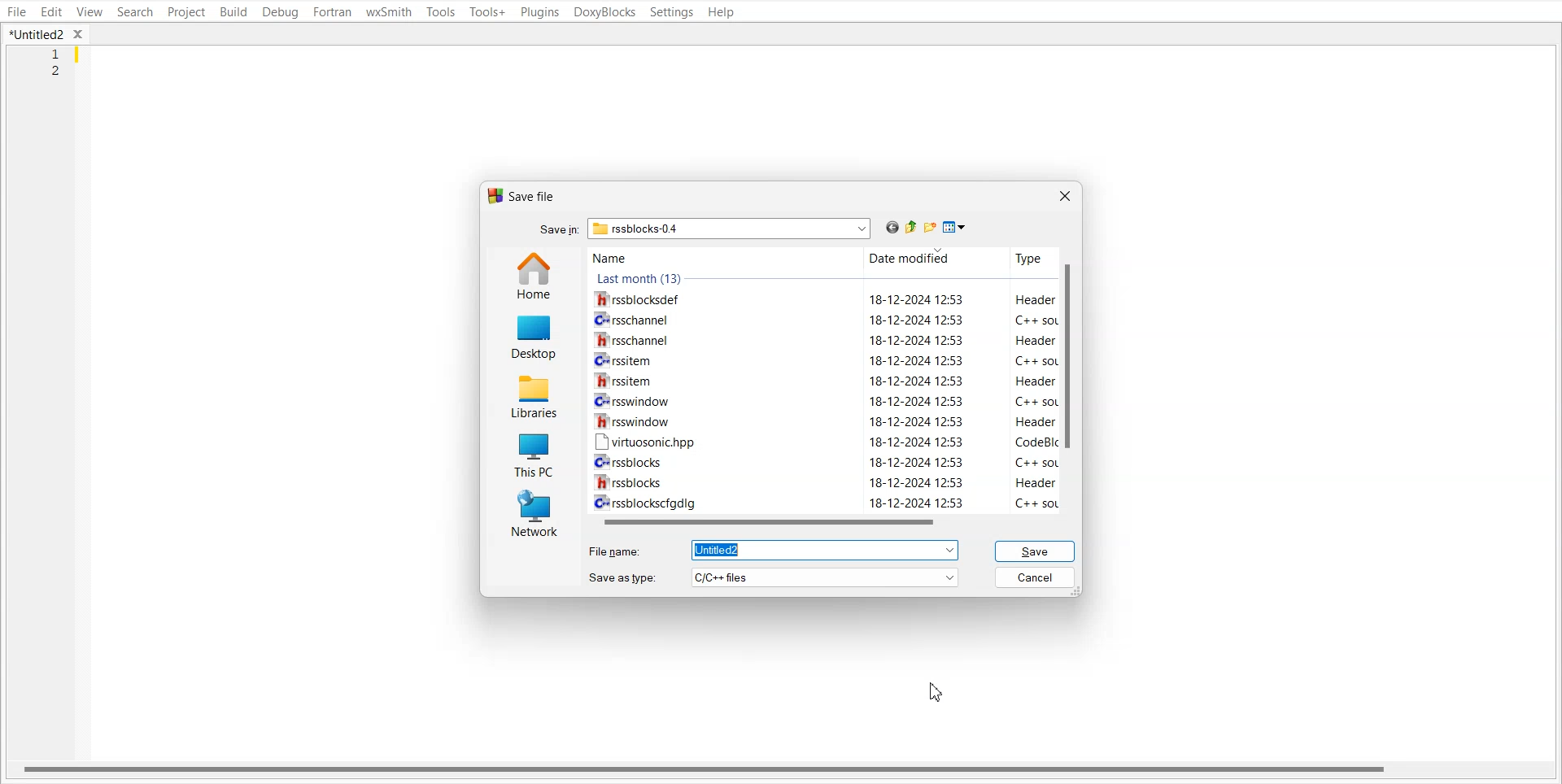 The image size is (1562, 784). Describe the element at coordinates (134, 12) in the screenshot. I see `Search` at that location.